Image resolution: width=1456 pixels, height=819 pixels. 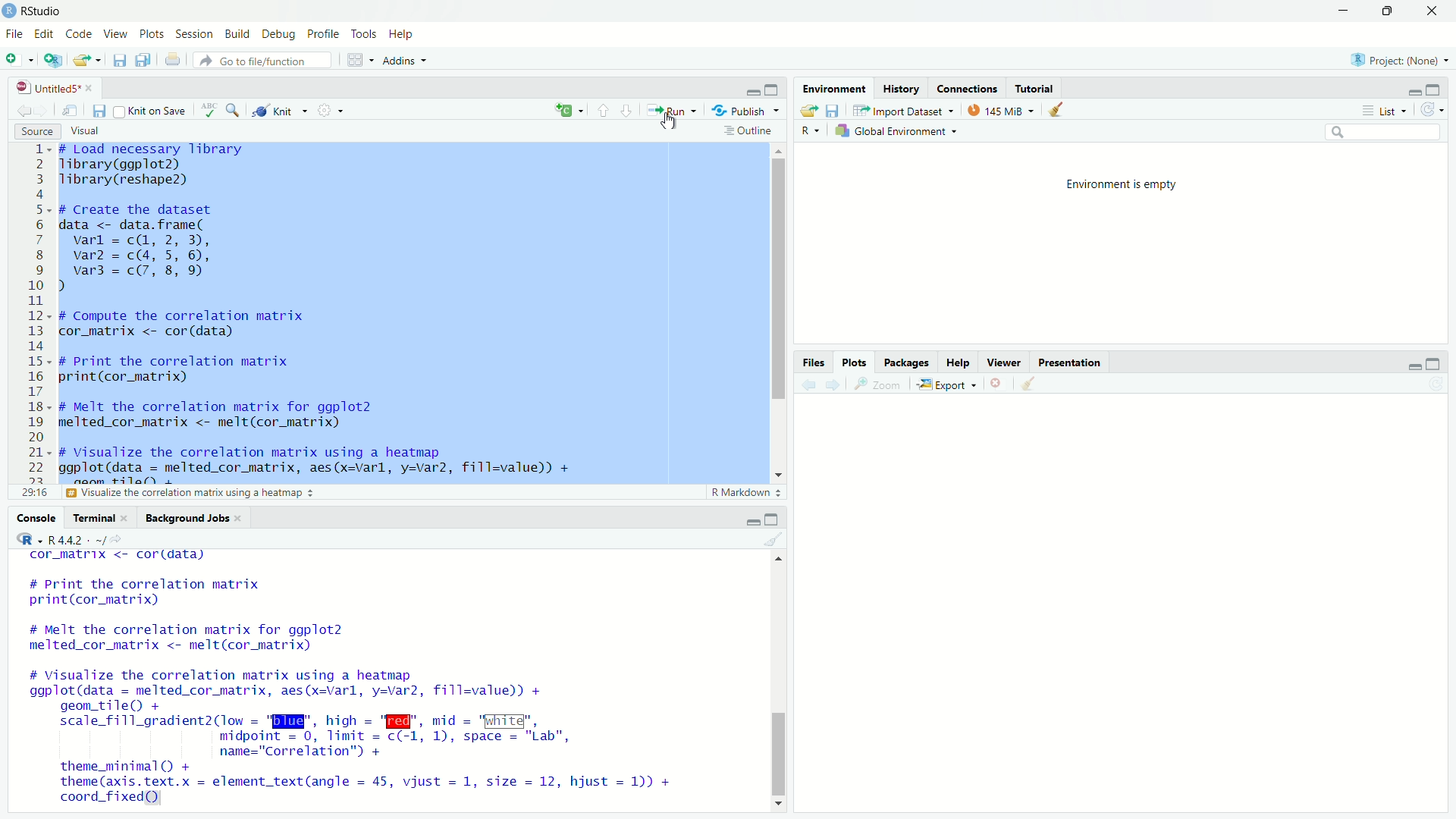 What do you see at coordinates (1386, 11) in the screenshot?
I see `maximize` at bounding box center [1386, 11].